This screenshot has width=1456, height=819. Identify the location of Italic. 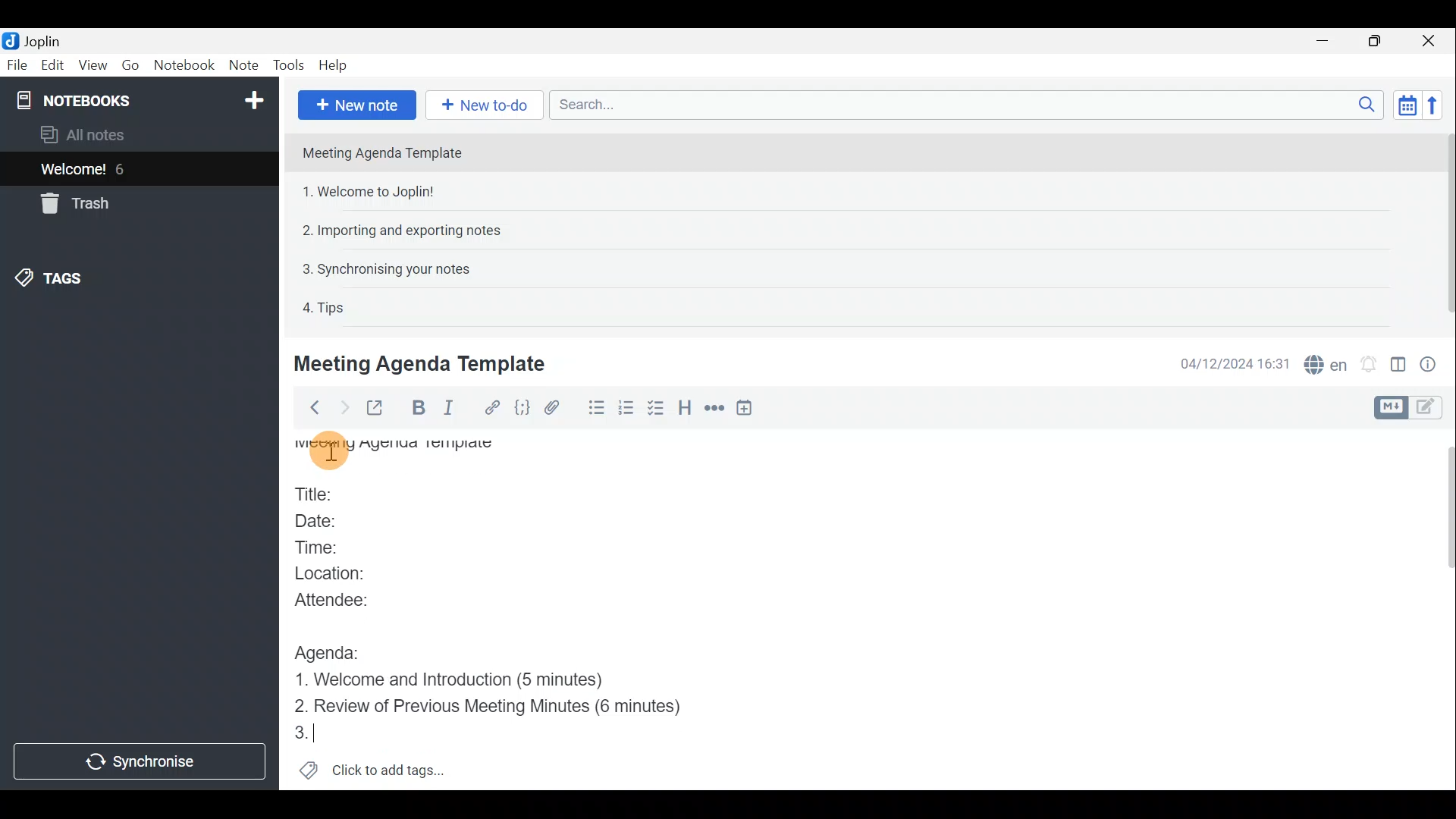
(453, 409).